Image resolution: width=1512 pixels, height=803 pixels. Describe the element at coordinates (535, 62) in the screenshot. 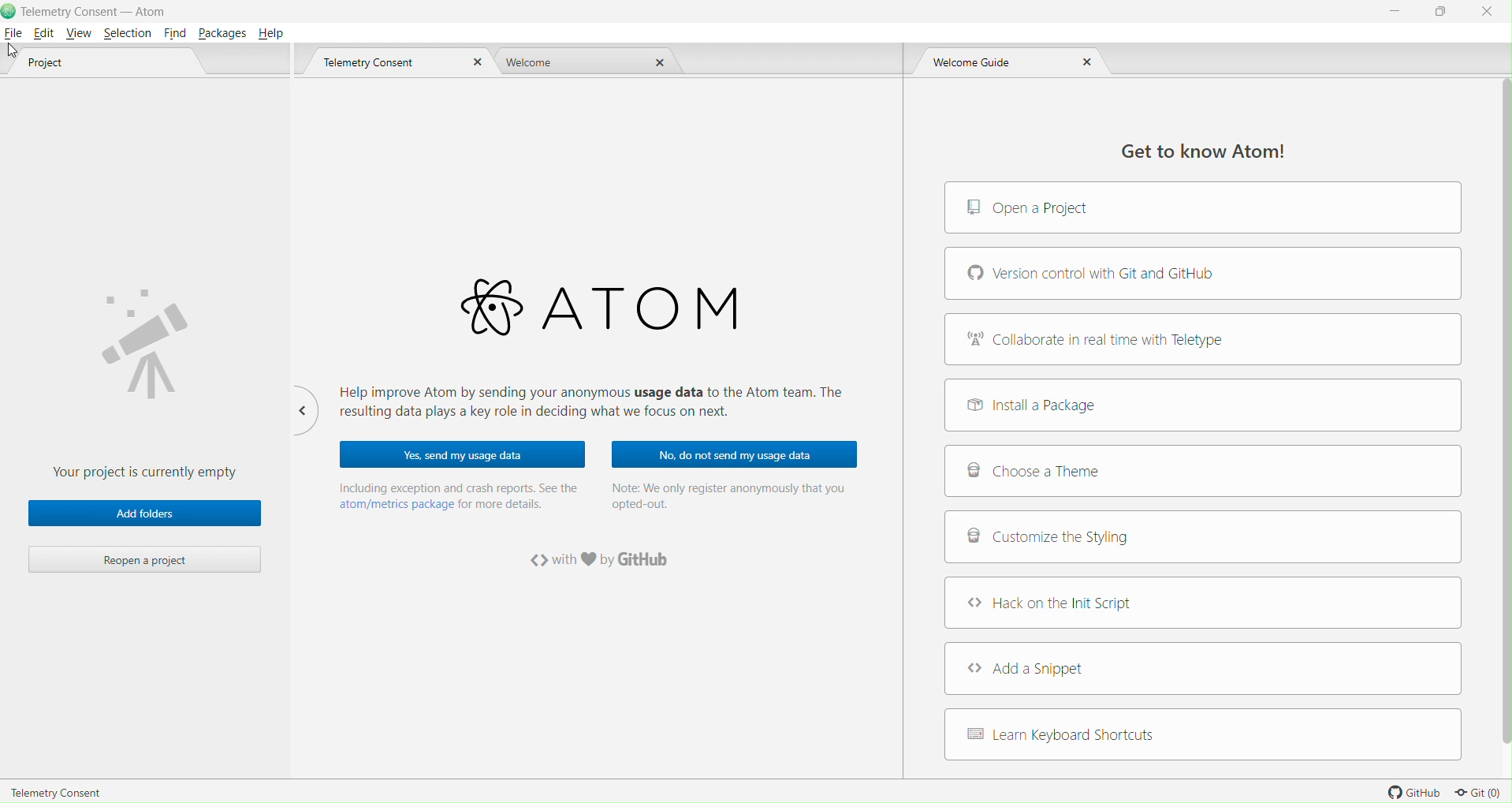

I see `Welcome` at that location.